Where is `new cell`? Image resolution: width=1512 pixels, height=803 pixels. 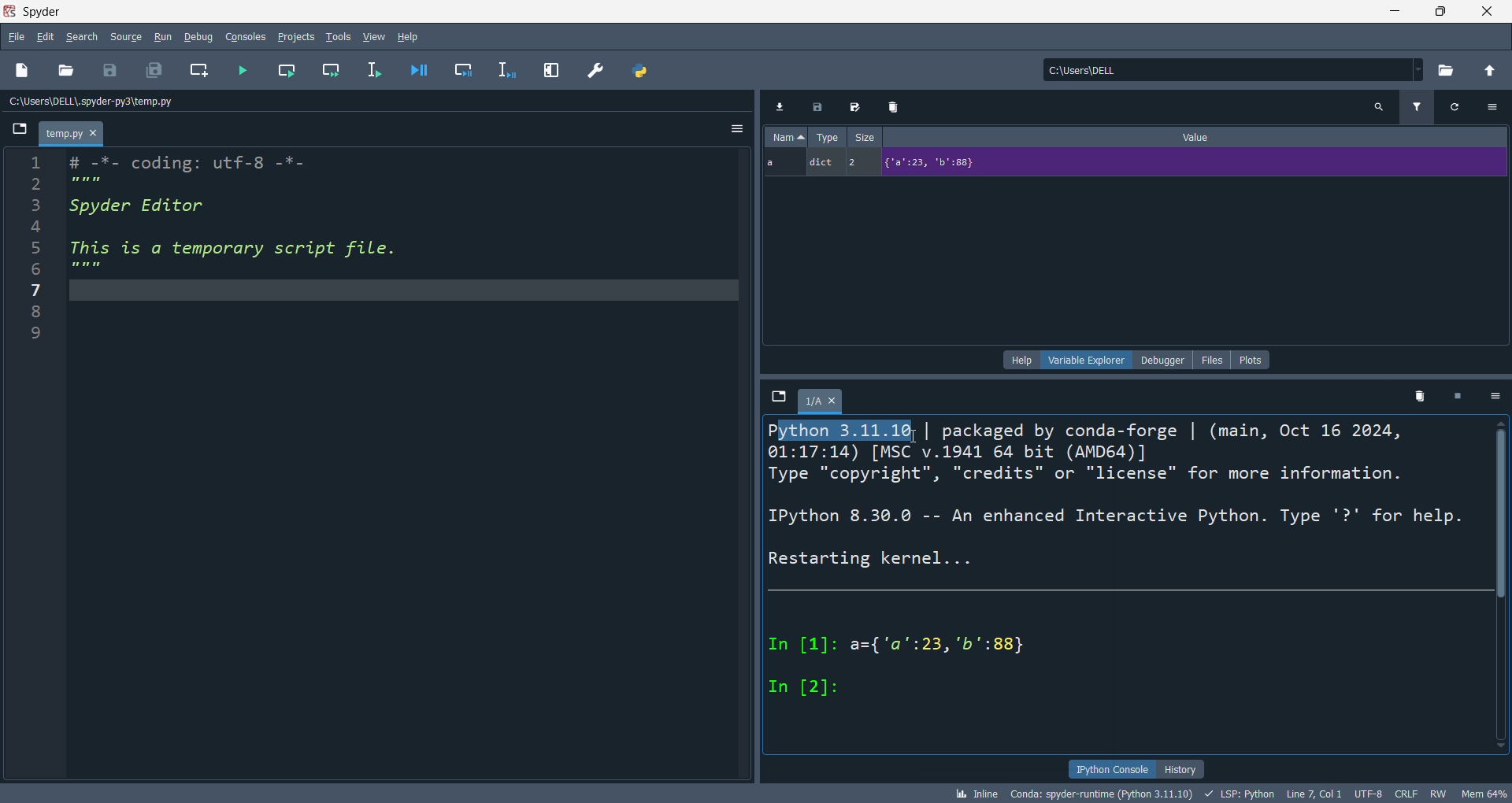 new cell is located at coordinates (202, 71).